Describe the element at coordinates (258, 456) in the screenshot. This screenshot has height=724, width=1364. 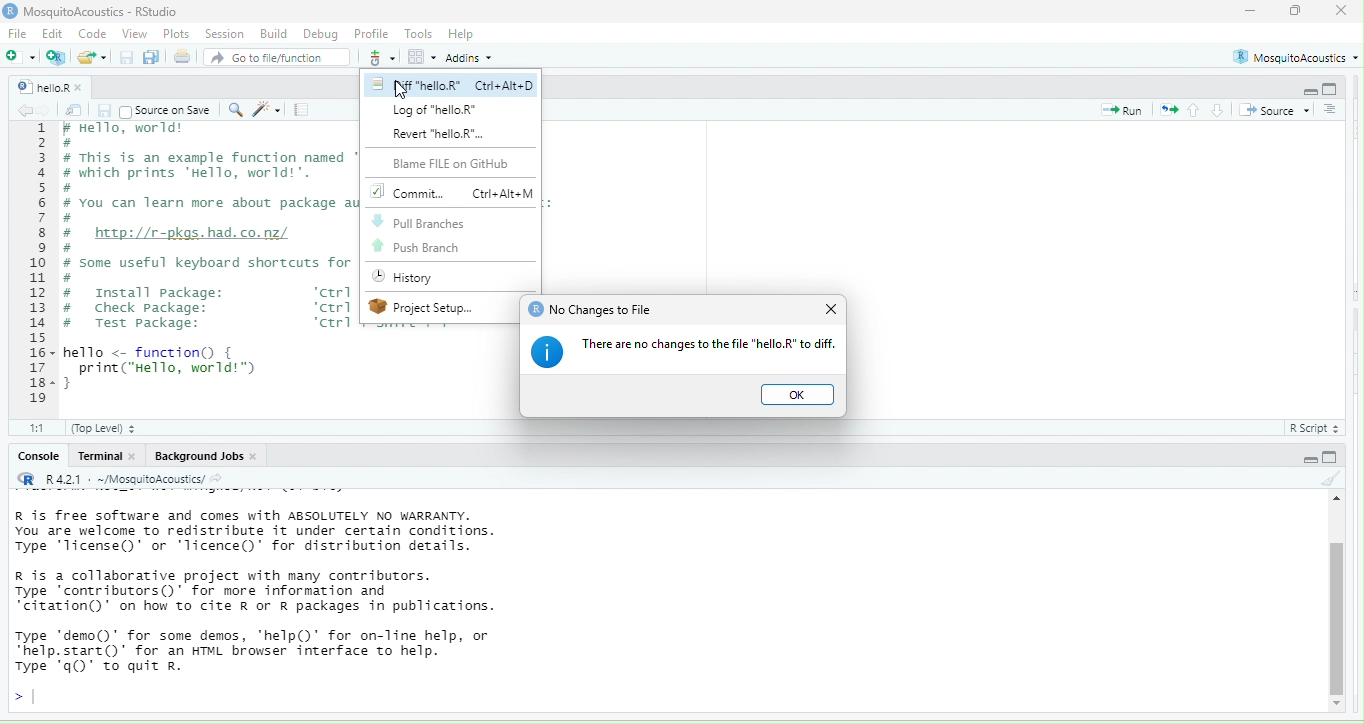
I see `close` at that location.